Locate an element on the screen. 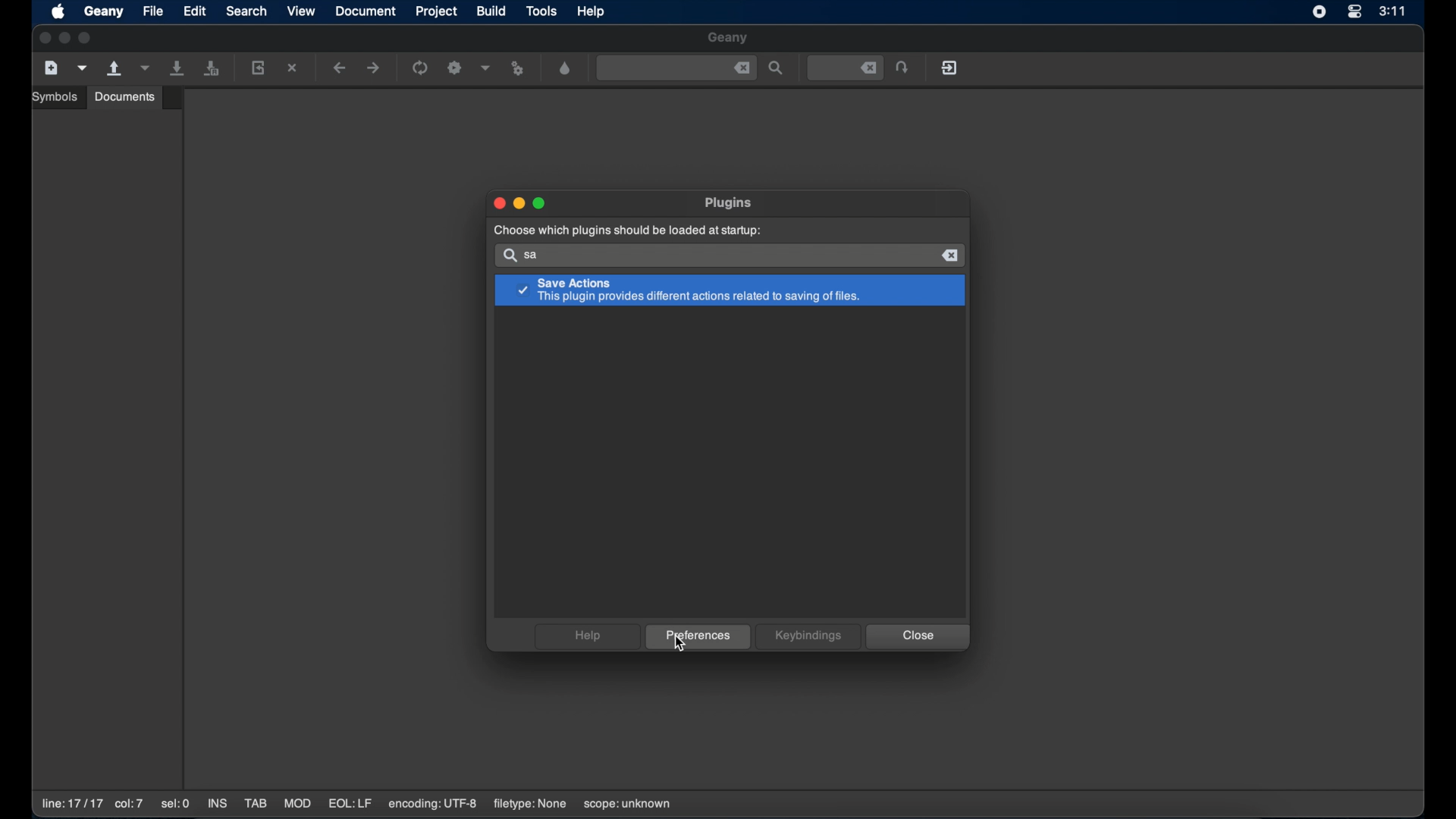 This screenshot has width=1456, height=819. close is located at coordinates (742, 68).